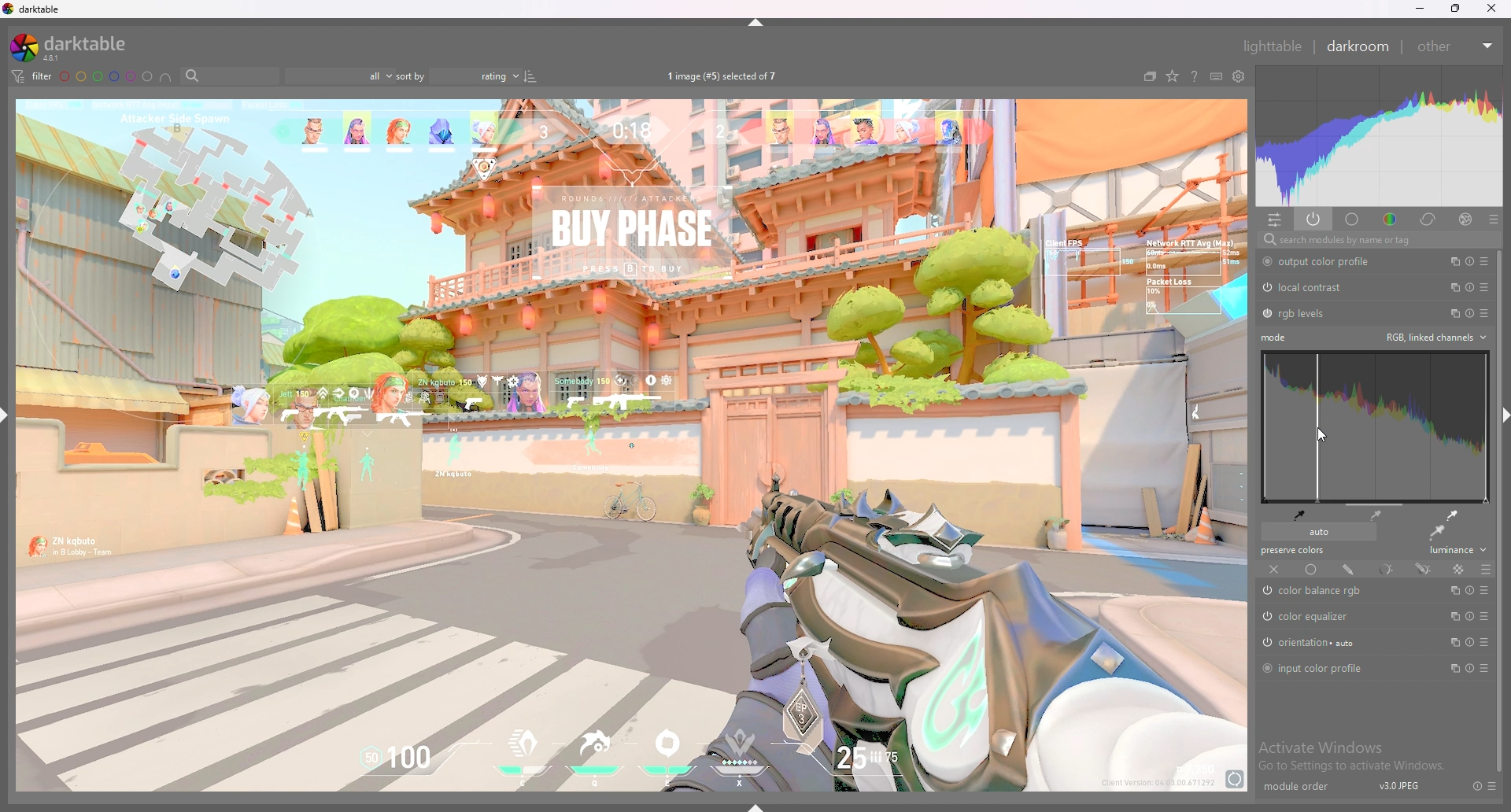 This screenshot has width=1511, height=812. Describe the element at coordinates (1436, 533) in the screenshot. I see `apply auto` at that location.